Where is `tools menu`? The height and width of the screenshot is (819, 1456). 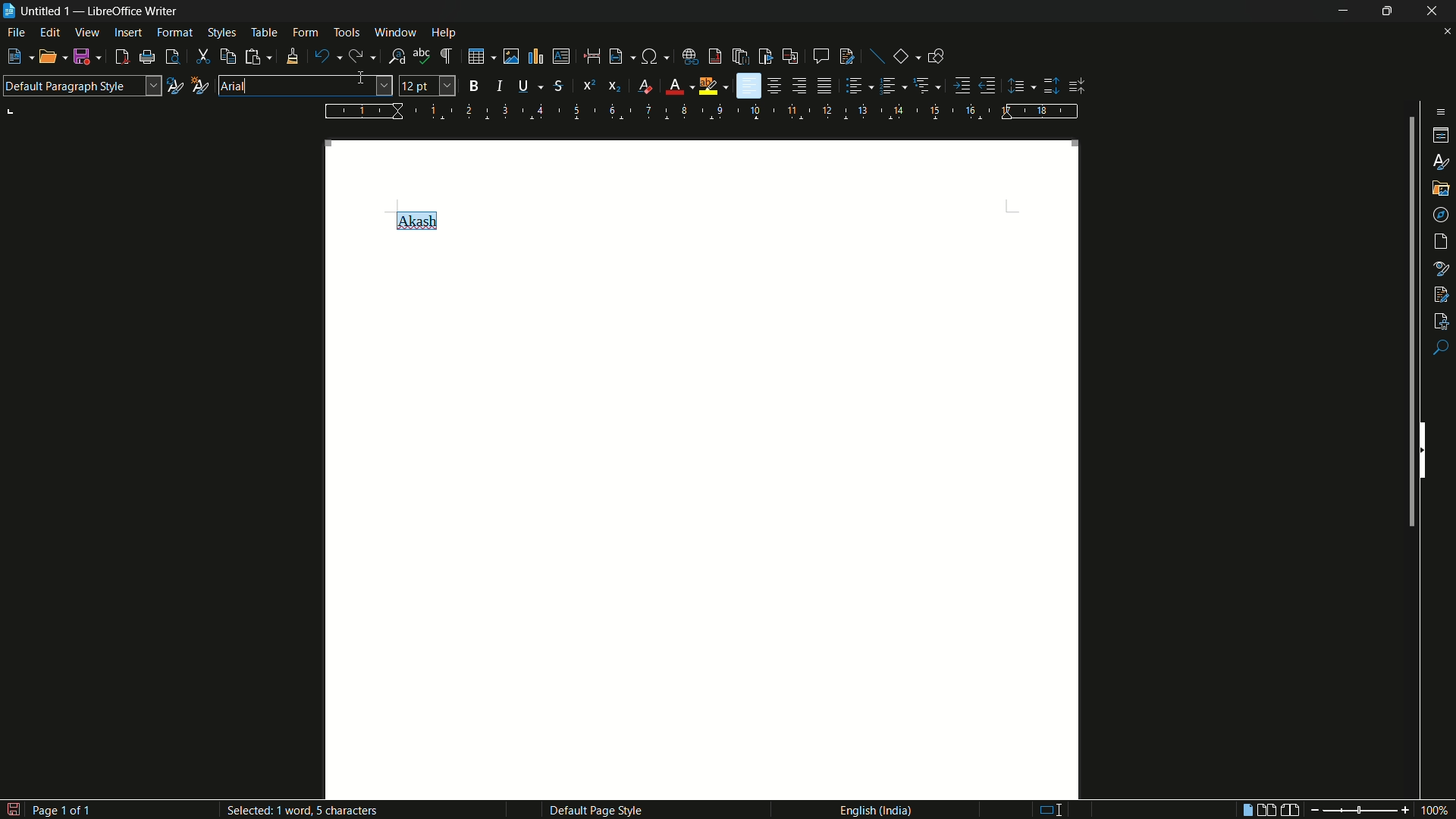
tools menu is located at coordinates (347, 32).